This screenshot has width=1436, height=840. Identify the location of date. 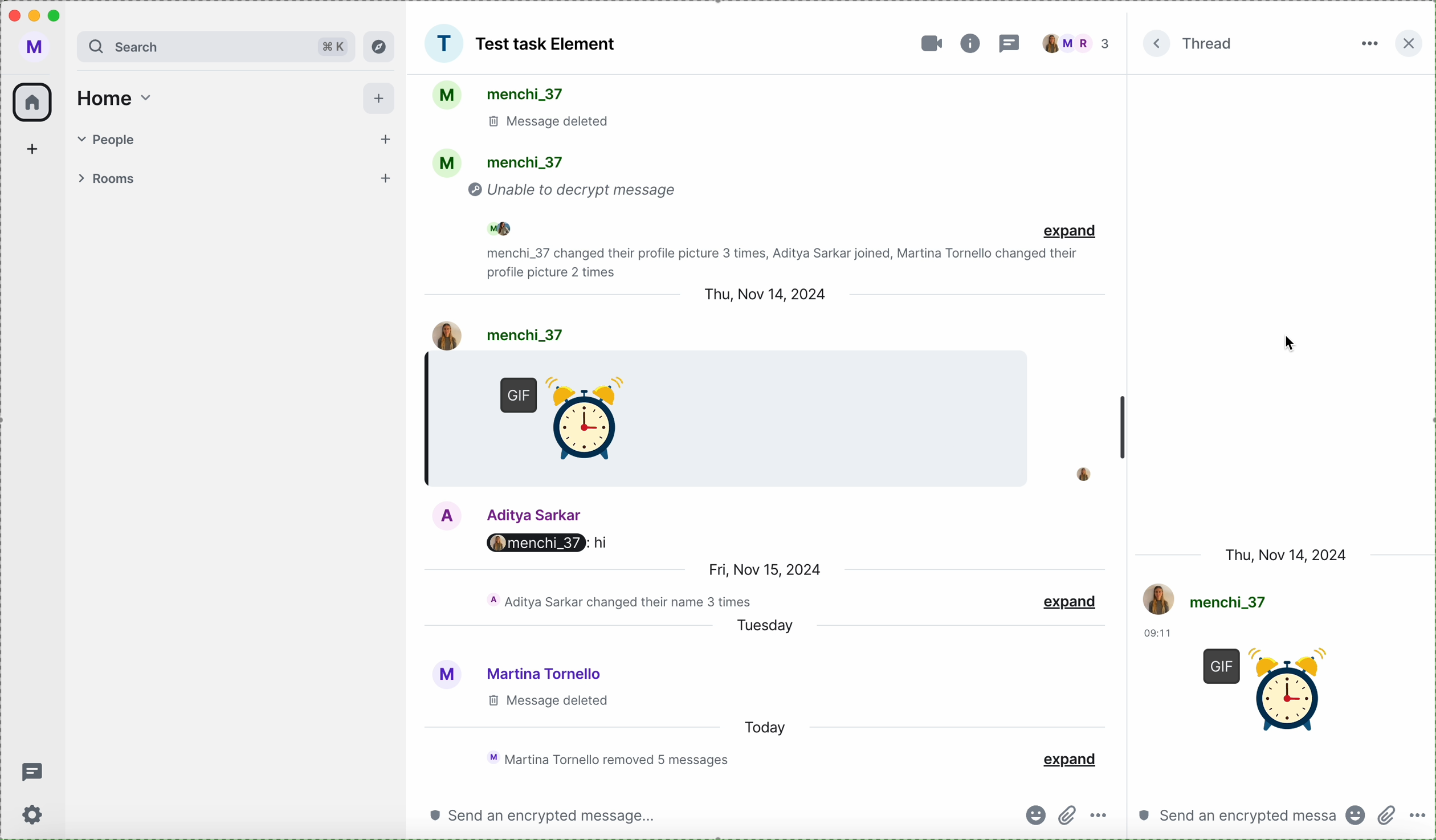
(762, 567).